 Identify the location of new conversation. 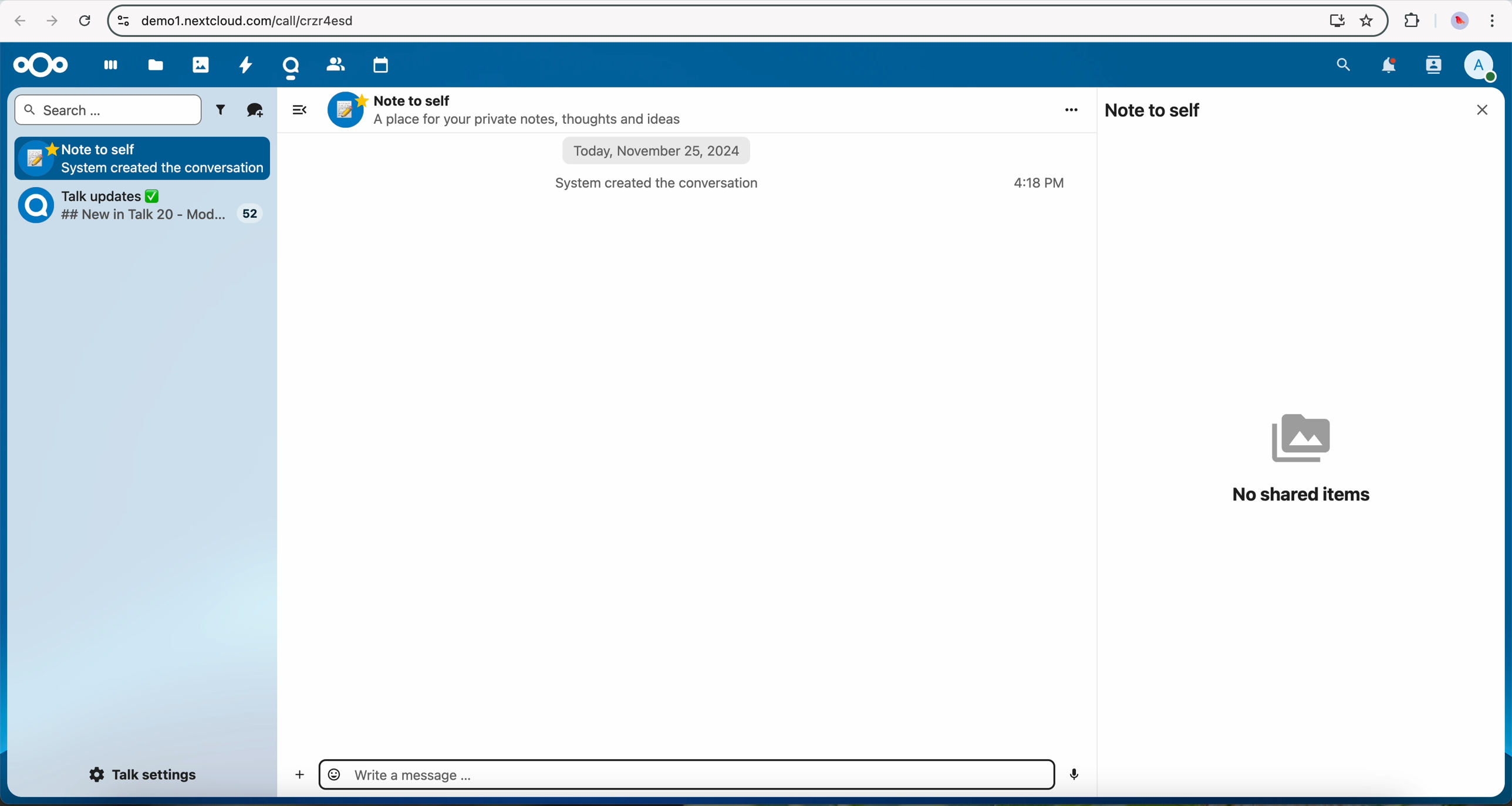
(256, 111).